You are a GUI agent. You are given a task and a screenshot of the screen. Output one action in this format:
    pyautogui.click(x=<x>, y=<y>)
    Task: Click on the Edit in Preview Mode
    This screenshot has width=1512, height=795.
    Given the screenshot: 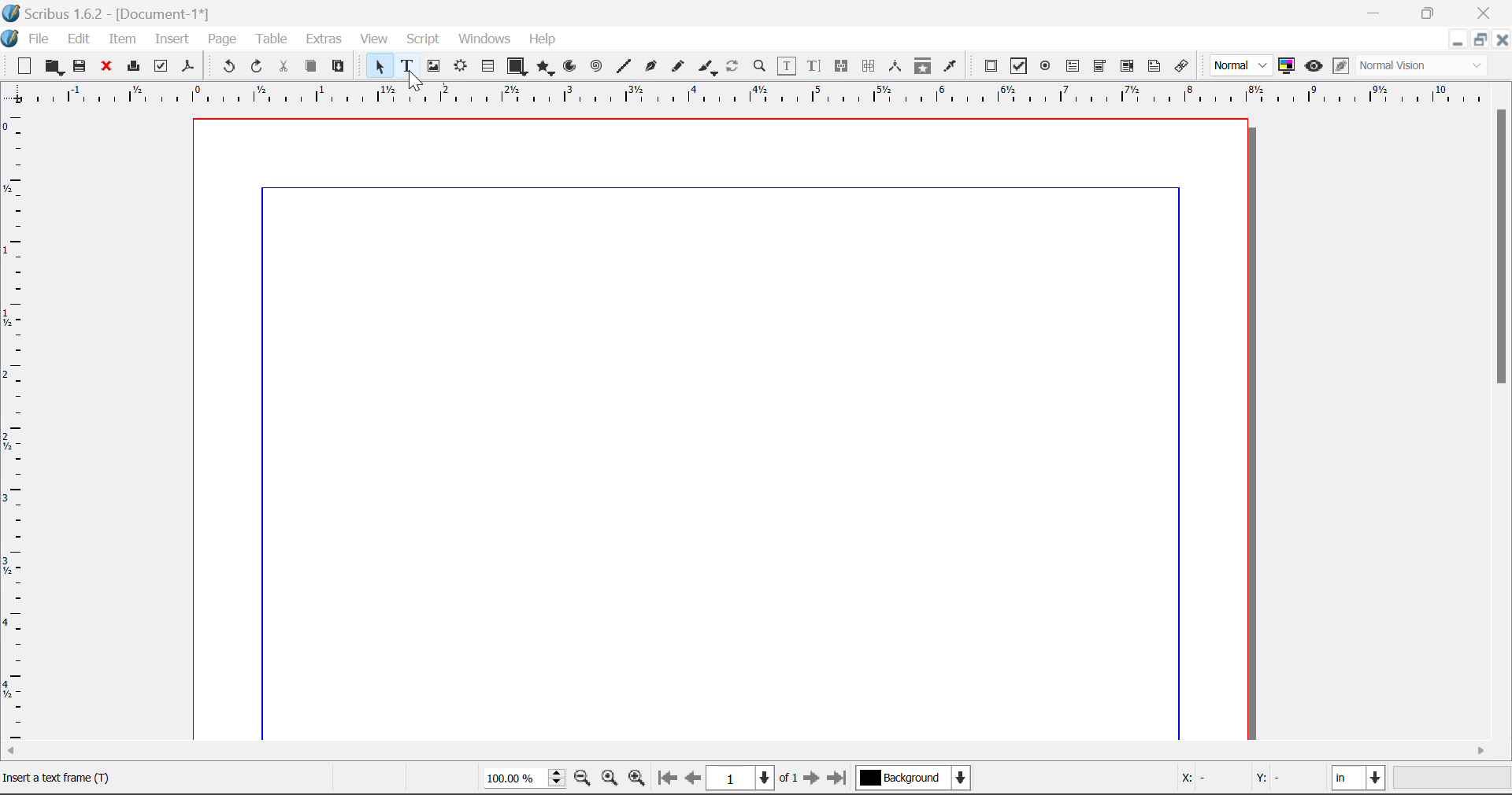 What is the action you would take?
    pyautogui.click(x=1340, y=68)
    